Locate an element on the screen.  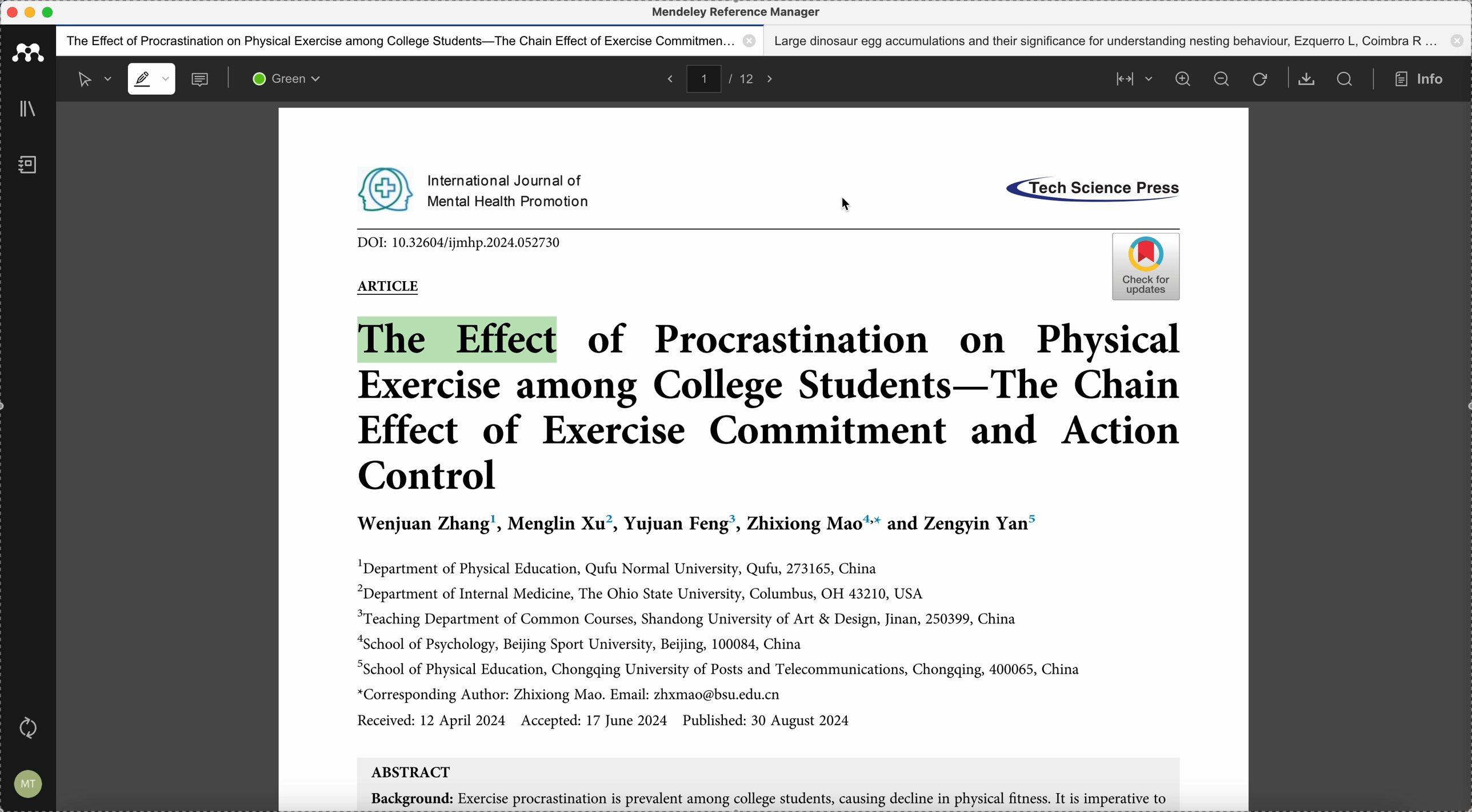
comments is located at coordinates (202, 81).